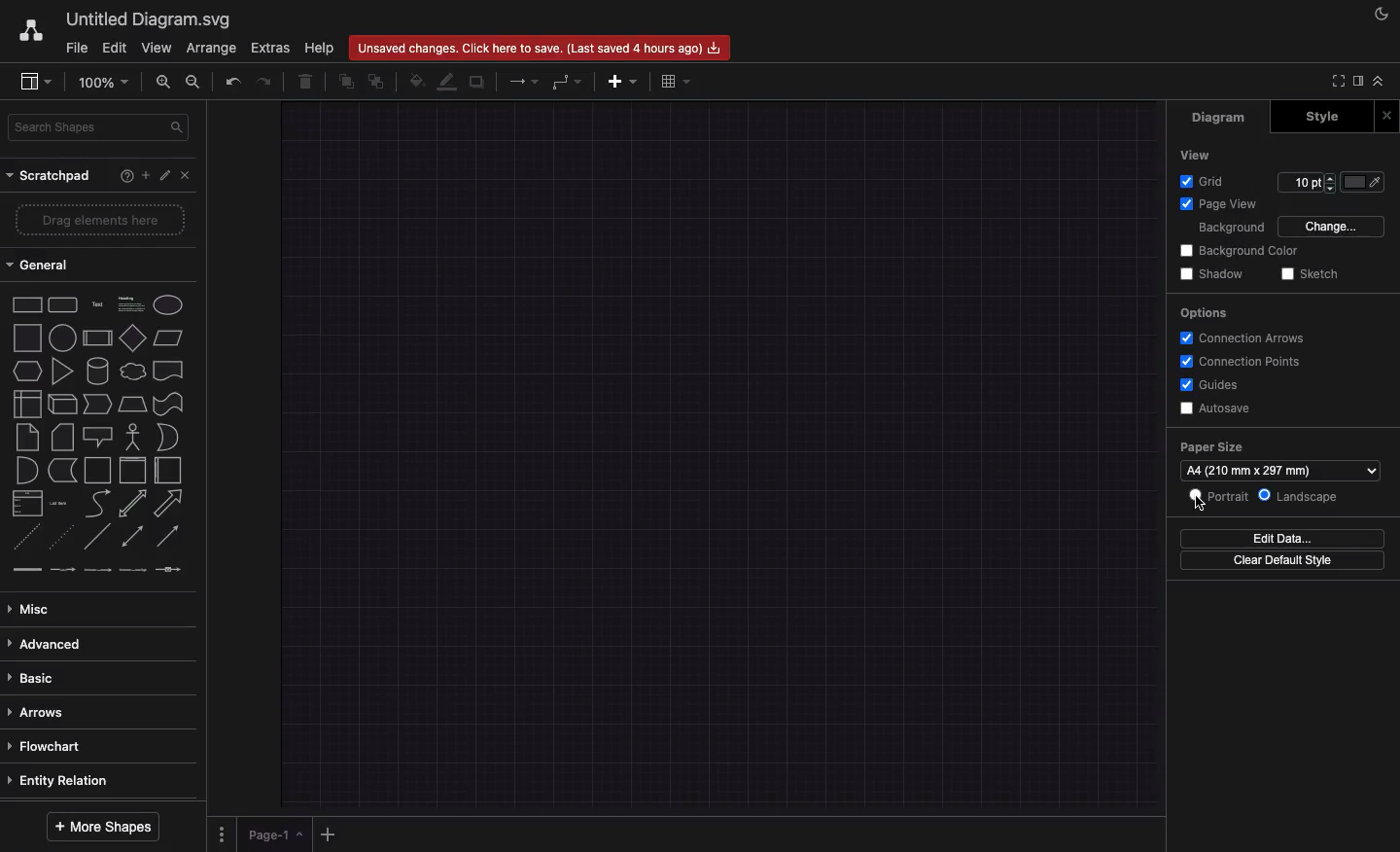 The image size is (1400, 852). I want to click on Search shapes, so click(98, 128).